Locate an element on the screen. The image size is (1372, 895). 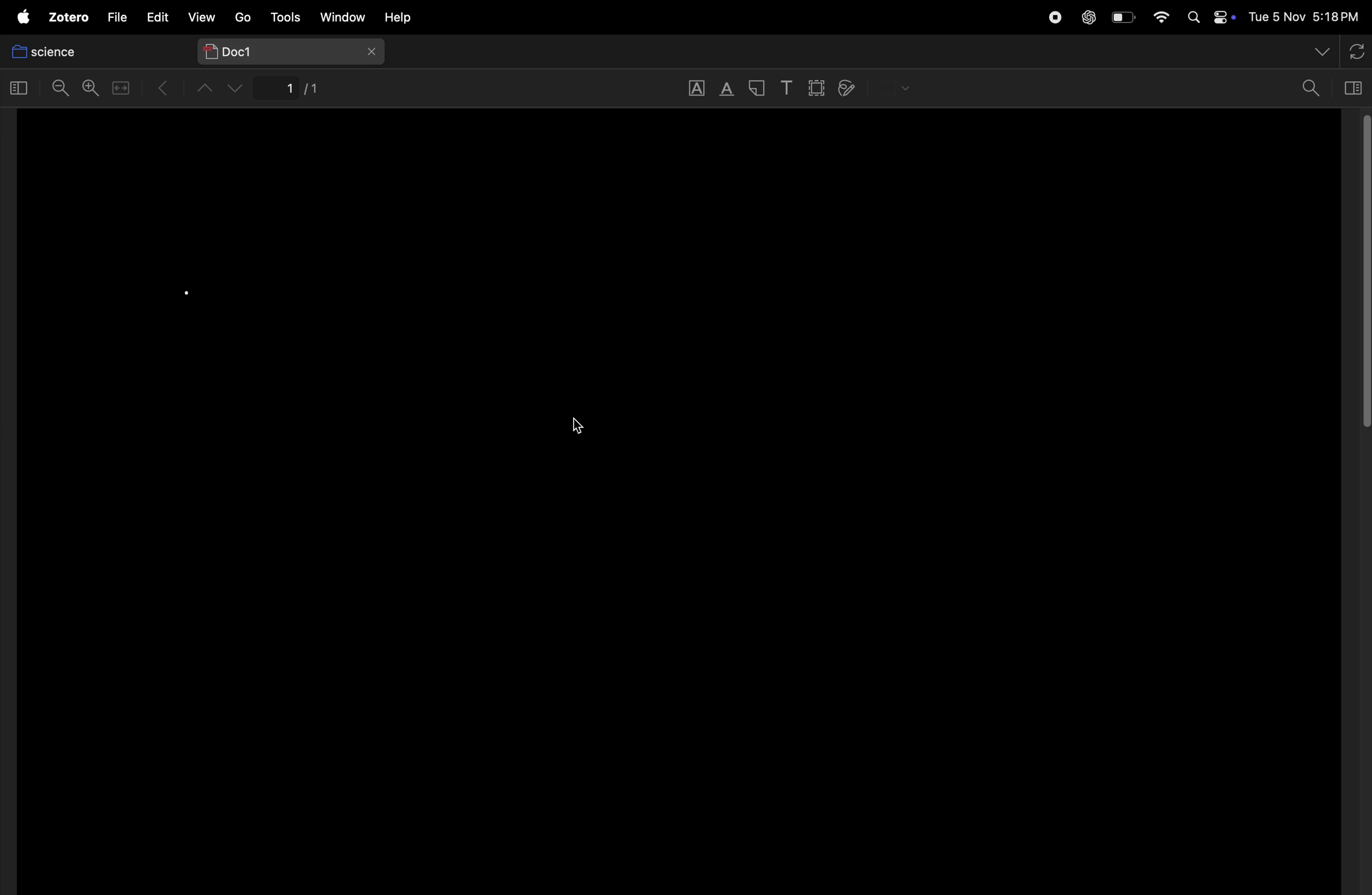
wifi is located at coordinates (1162, 17).